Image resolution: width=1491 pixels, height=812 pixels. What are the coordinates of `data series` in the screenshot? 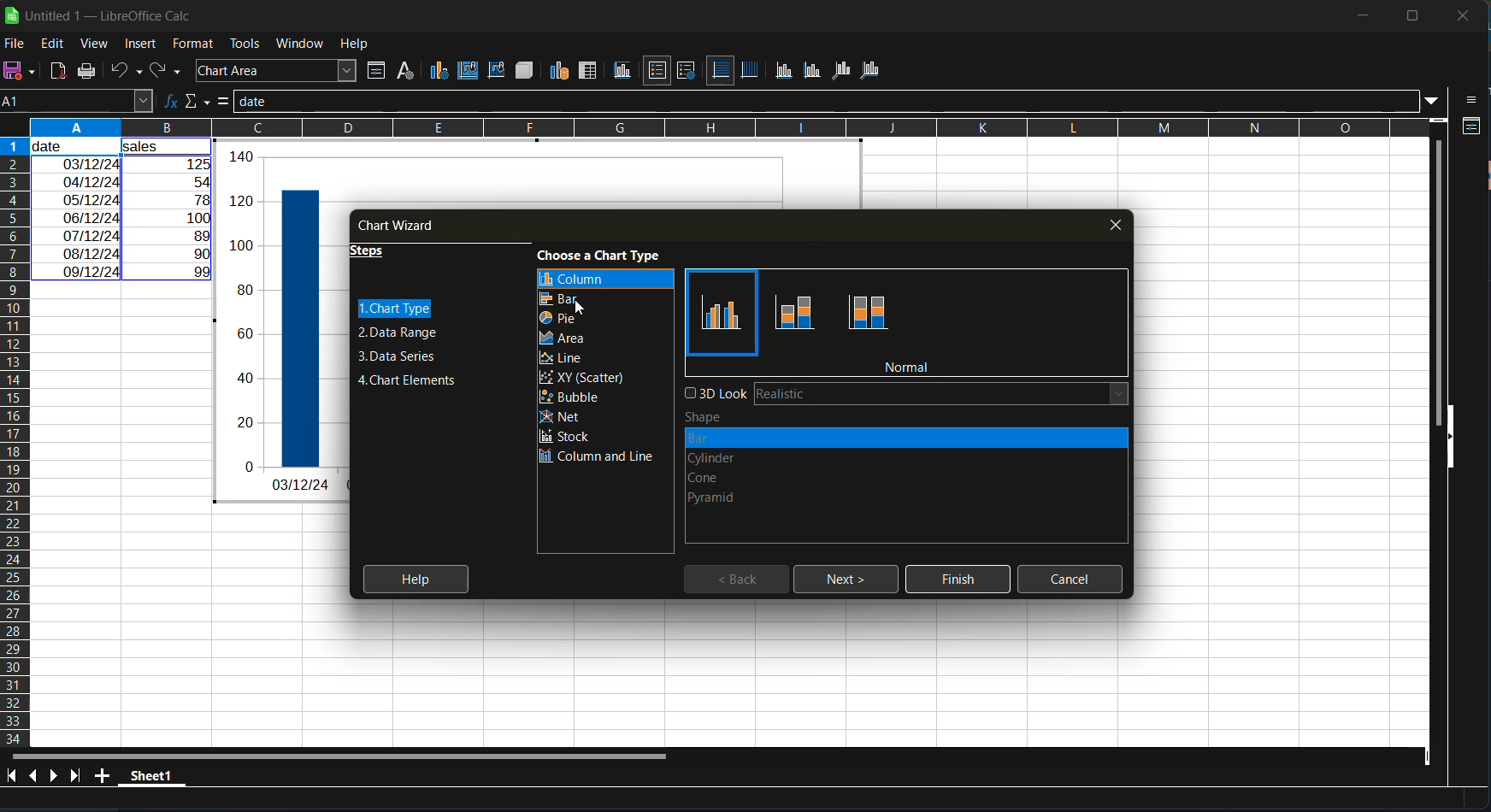 It's located at (404, 356).